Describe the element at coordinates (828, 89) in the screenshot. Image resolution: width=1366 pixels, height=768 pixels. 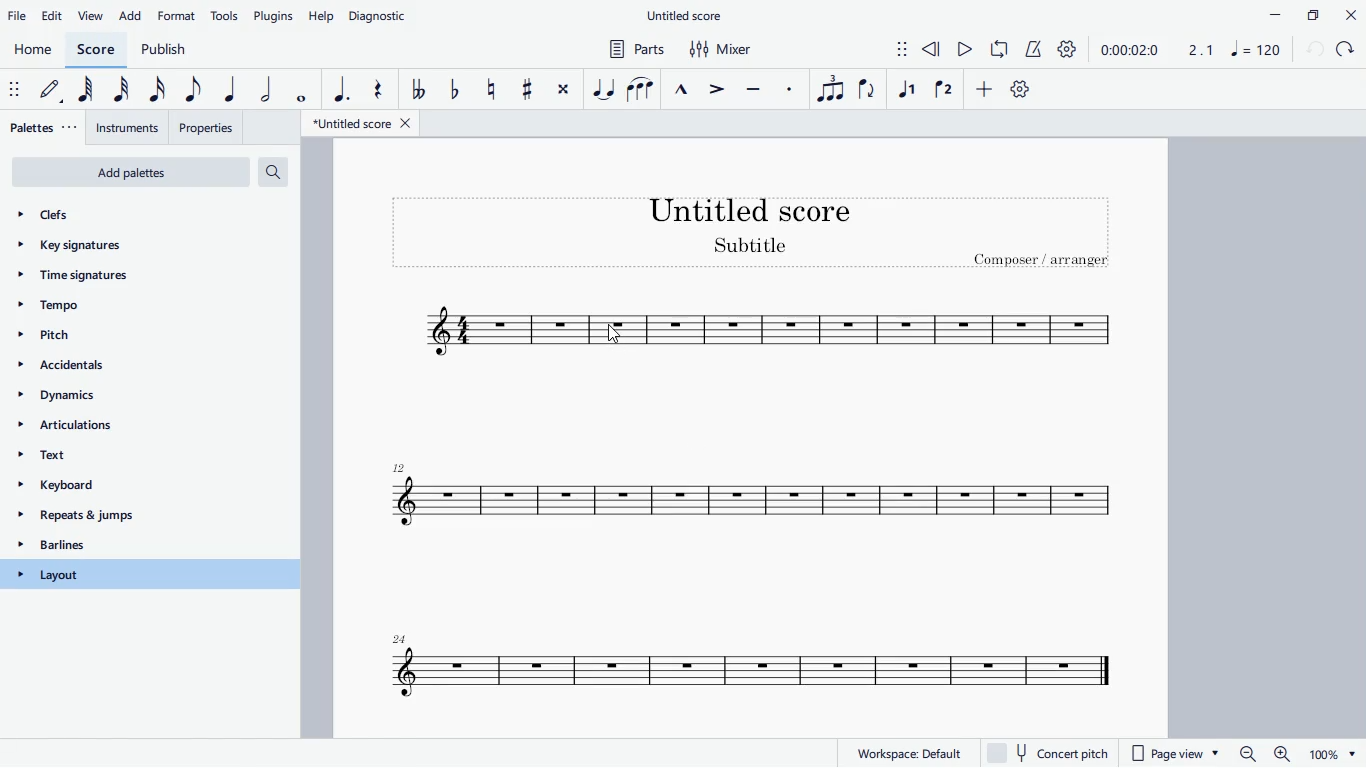
I see `tuplet` at that location.